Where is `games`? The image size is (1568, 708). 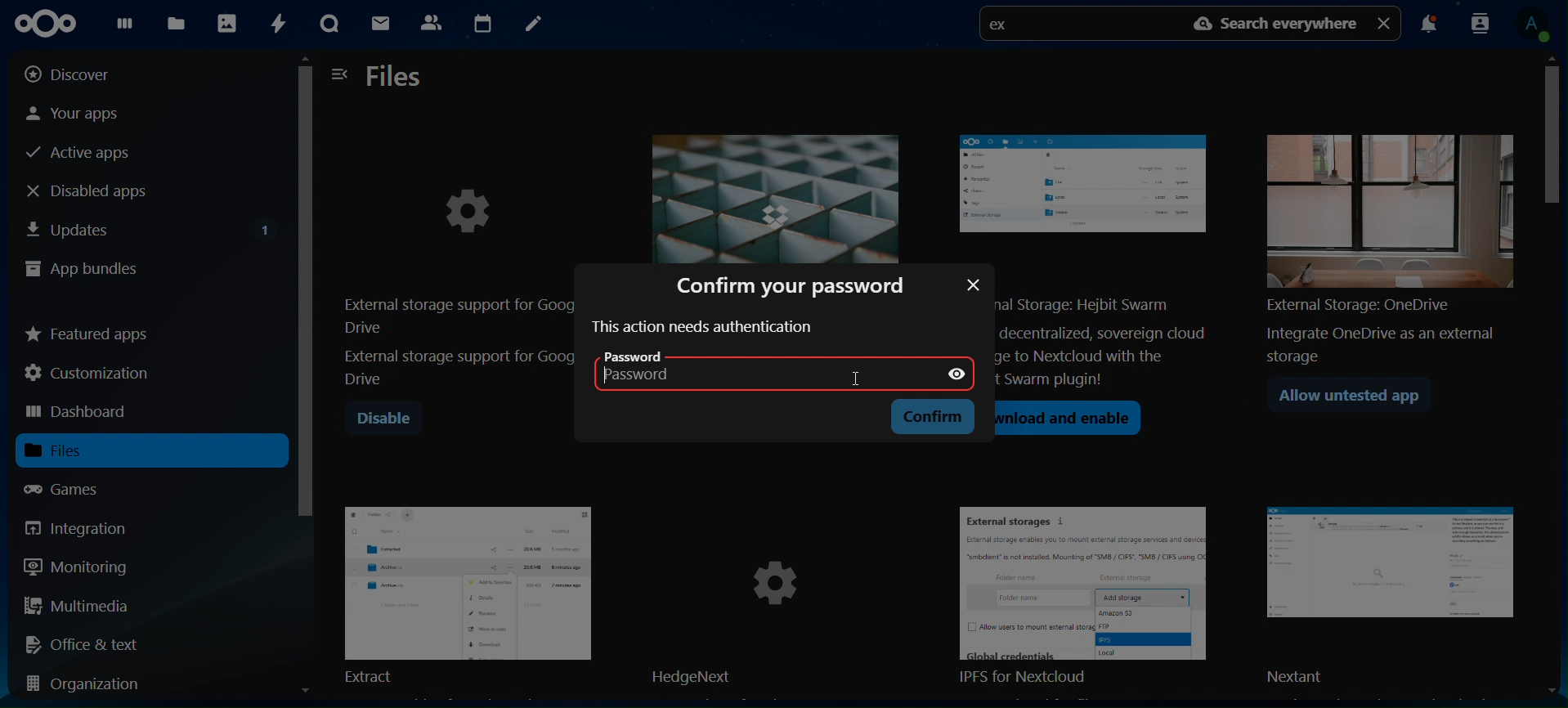
games is located at coordinates (77, 489).